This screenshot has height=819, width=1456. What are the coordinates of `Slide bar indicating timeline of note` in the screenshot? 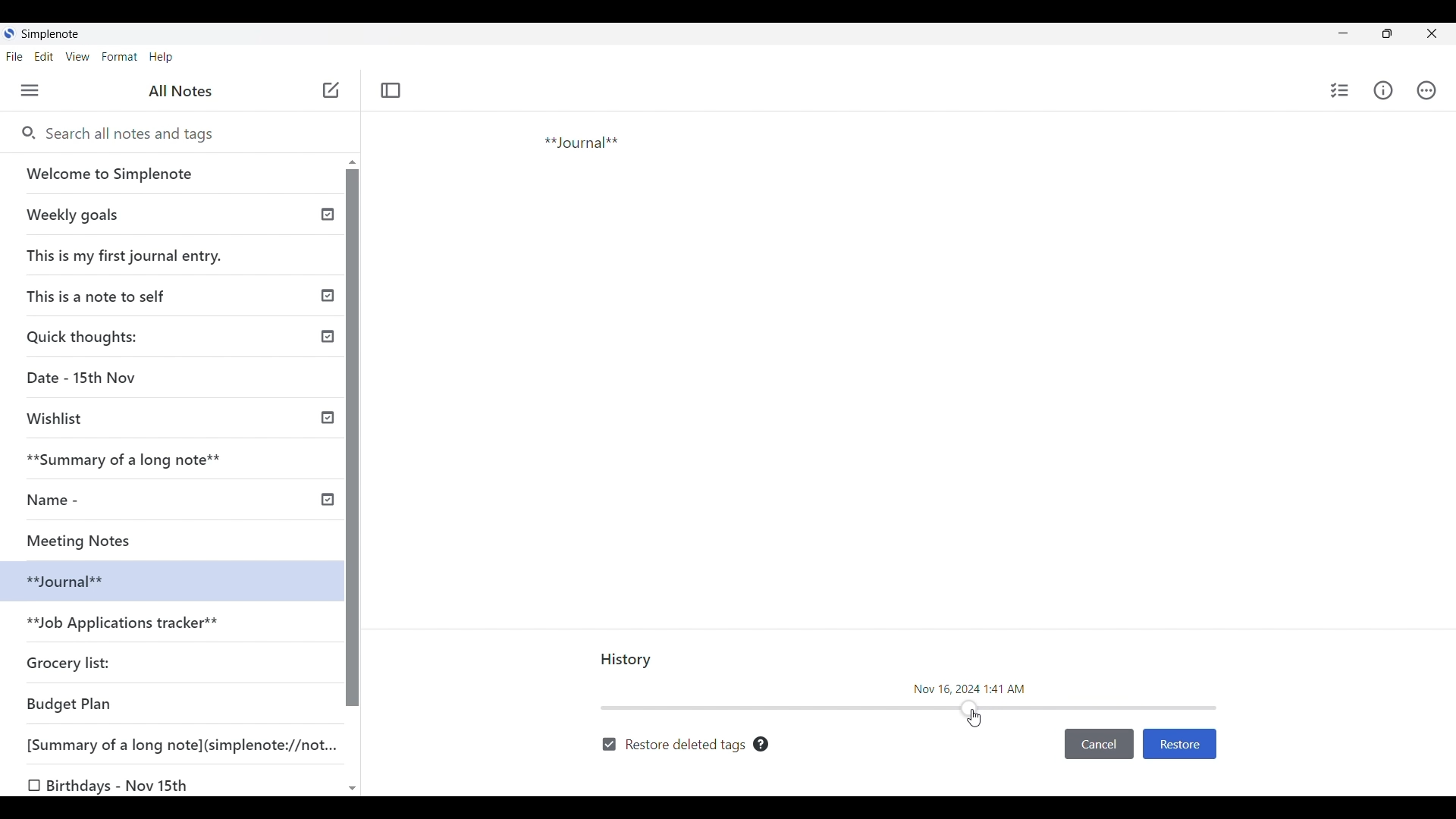 It's located at (910, 708).